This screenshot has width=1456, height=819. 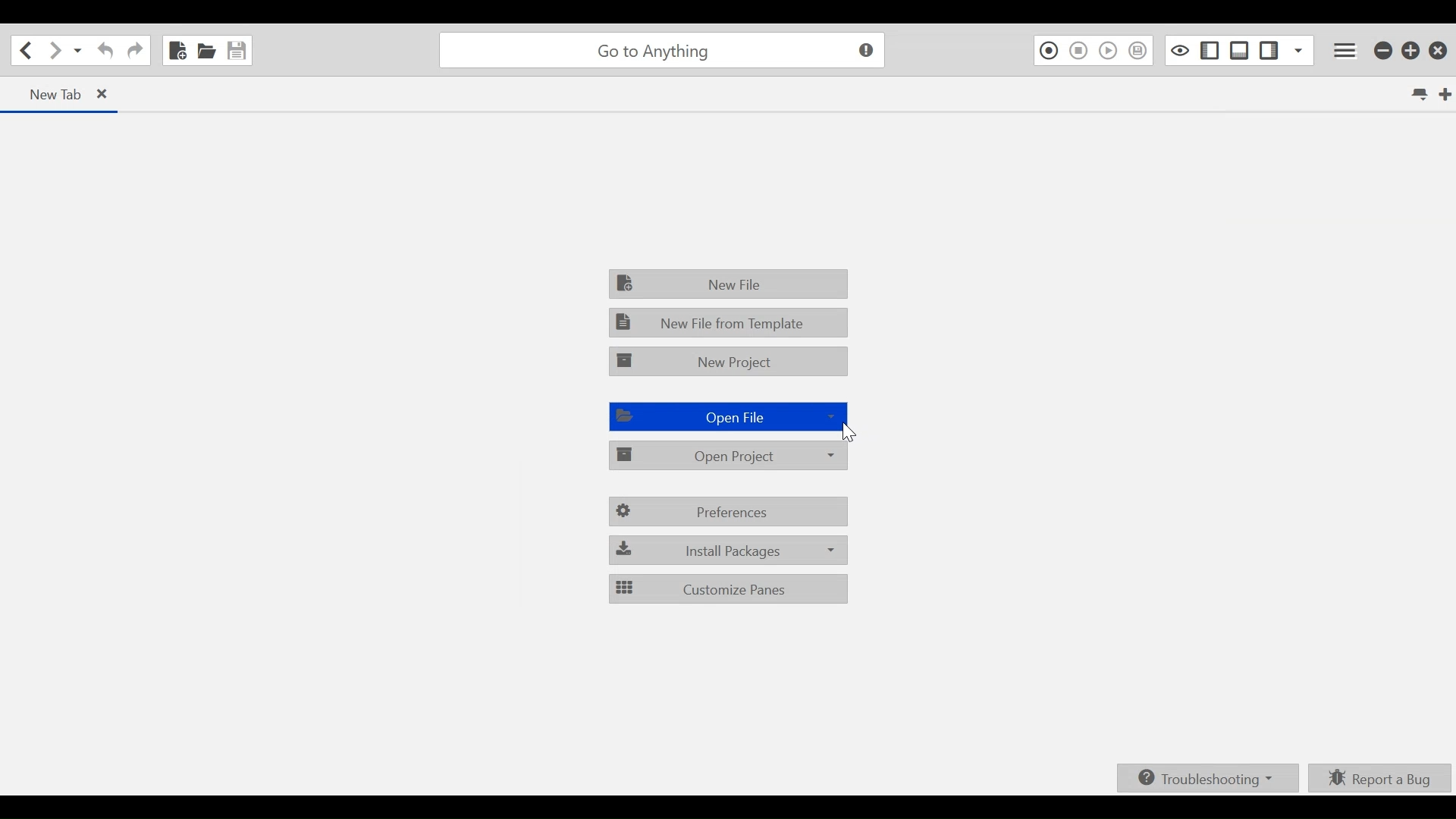 What do you see at coordinates (731, 285) in the screenshot?
I see `New File` at bounding box center [731, 285].